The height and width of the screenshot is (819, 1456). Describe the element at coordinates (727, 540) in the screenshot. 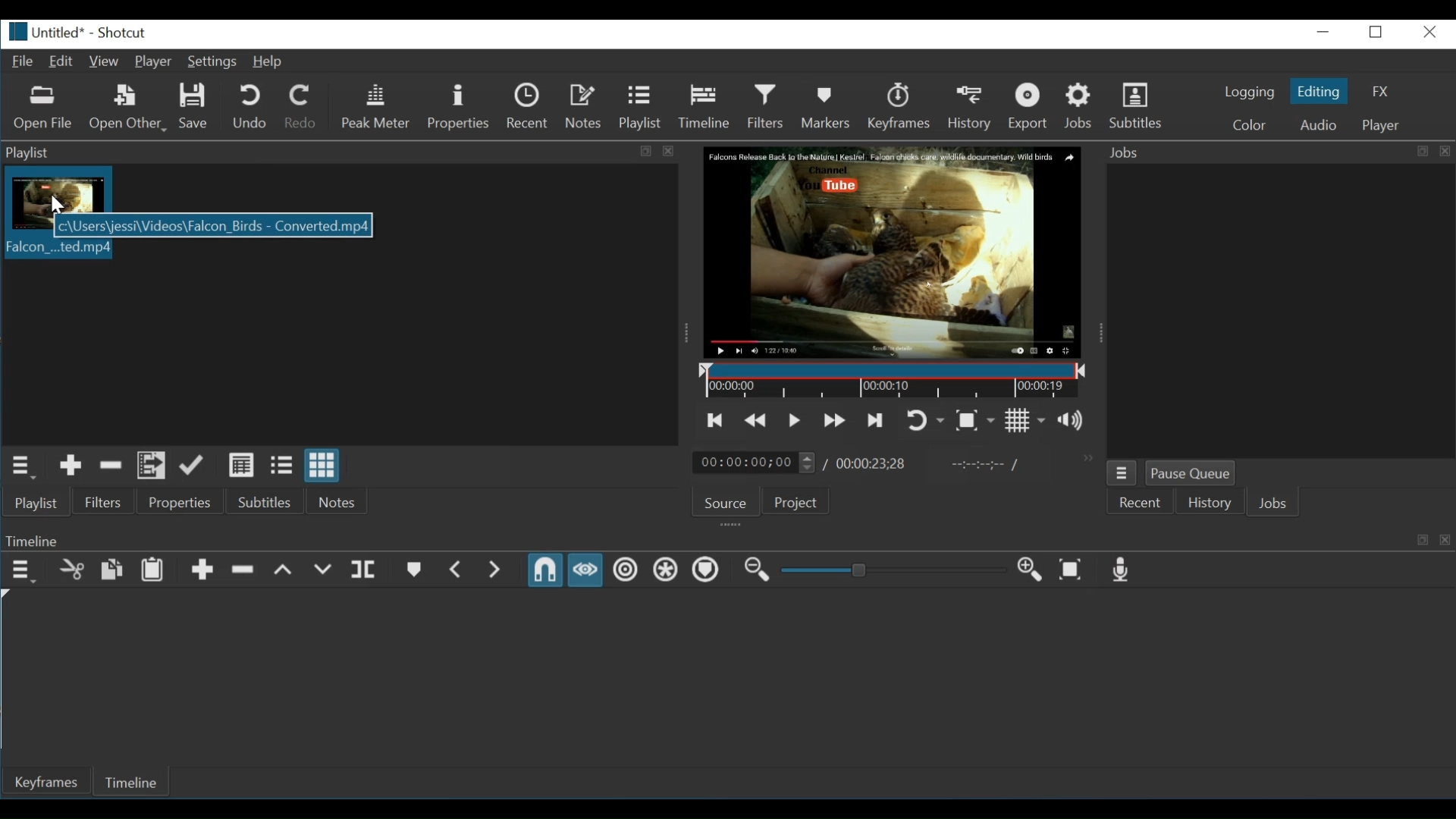

I see `Timeline Panel` at that location.